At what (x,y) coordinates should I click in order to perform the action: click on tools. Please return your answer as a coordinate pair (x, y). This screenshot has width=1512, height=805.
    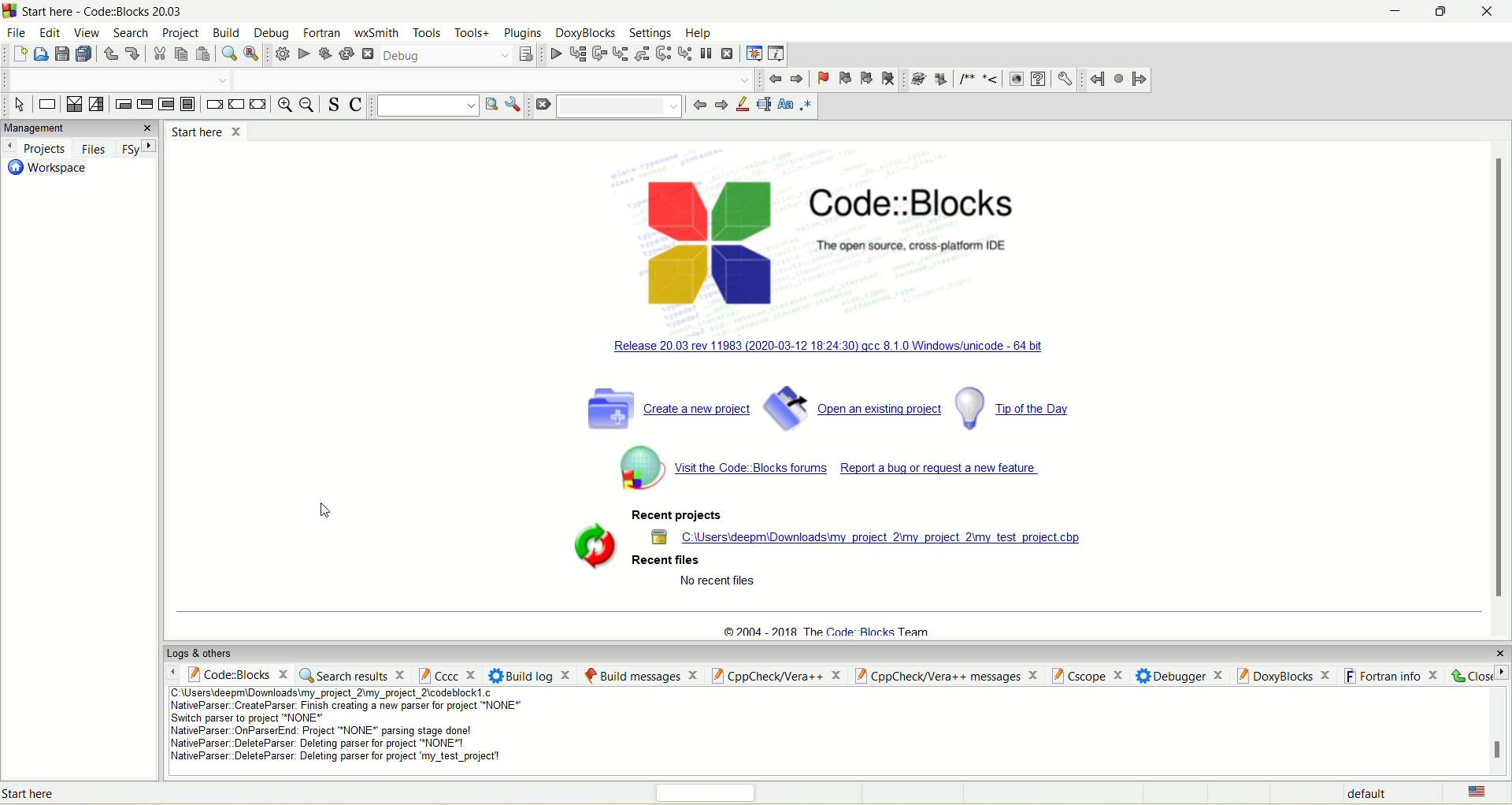
    Looking at the image, I should click on (424, 33).